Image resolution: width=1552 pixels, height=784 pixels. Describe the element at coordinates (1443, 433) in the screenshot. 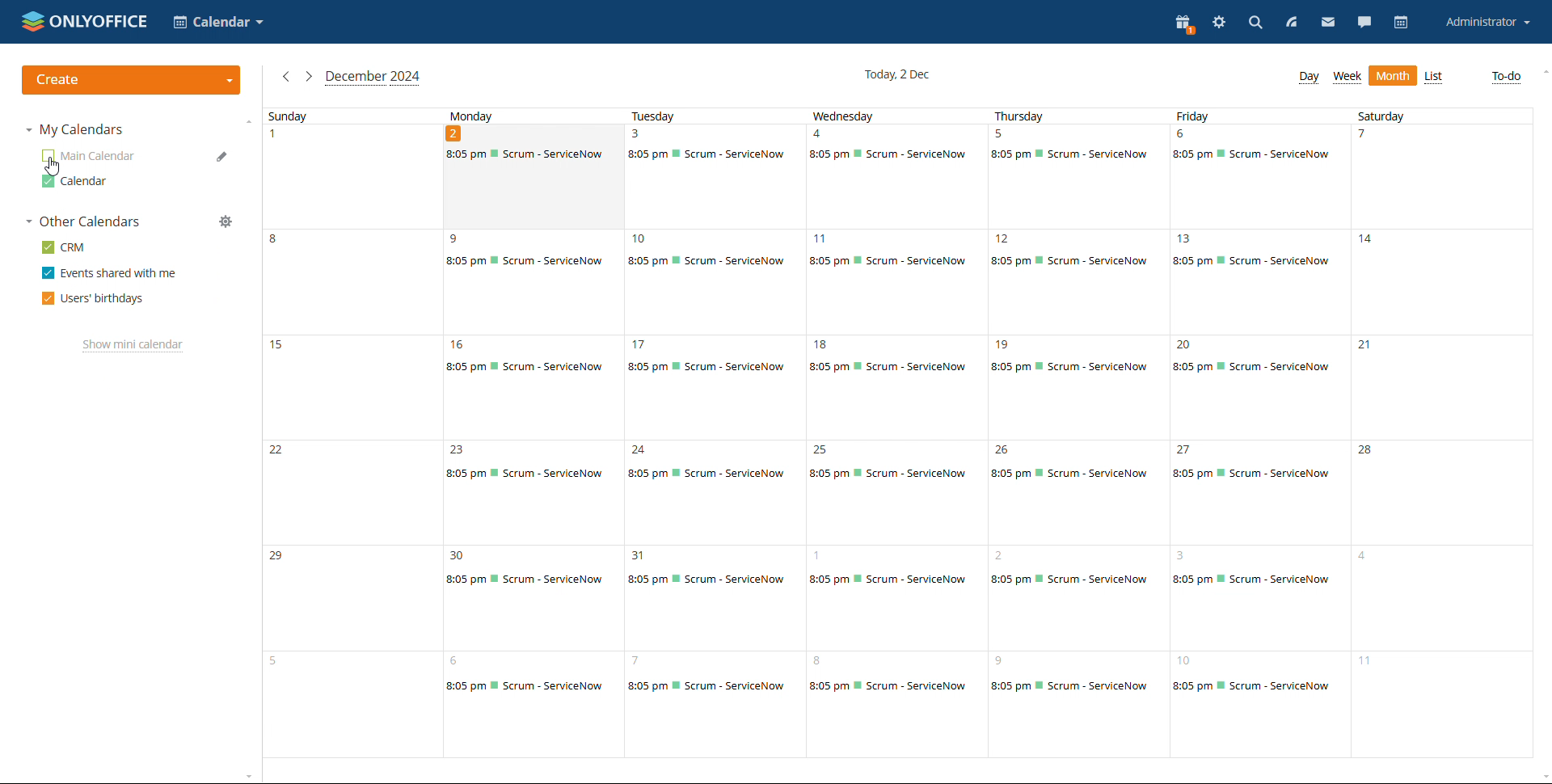

I see `saturday` at that location.